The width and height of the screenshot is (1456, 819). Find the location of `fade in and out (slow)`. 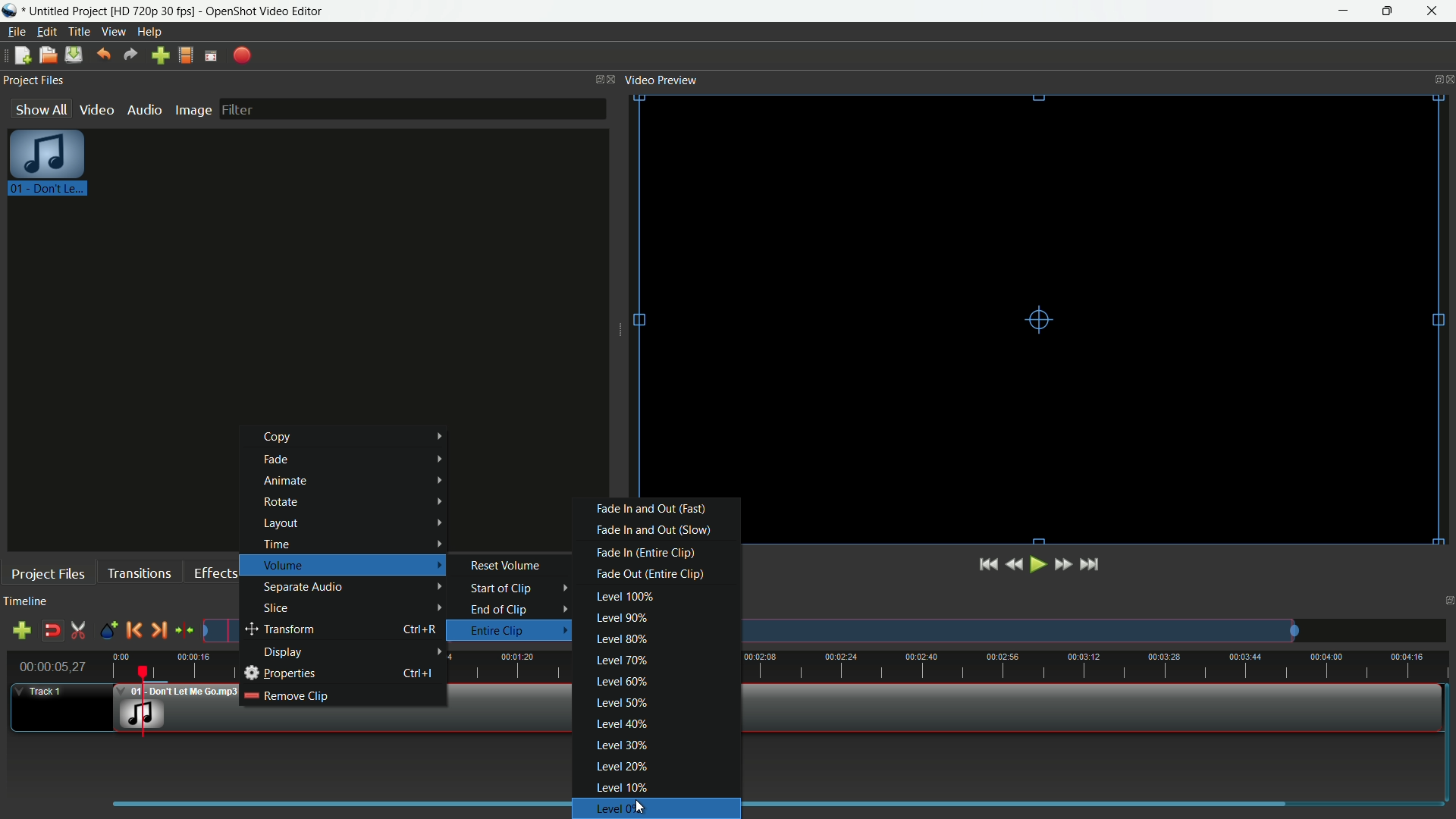

fade in and out (slow) is located at coordinates (653, 529).